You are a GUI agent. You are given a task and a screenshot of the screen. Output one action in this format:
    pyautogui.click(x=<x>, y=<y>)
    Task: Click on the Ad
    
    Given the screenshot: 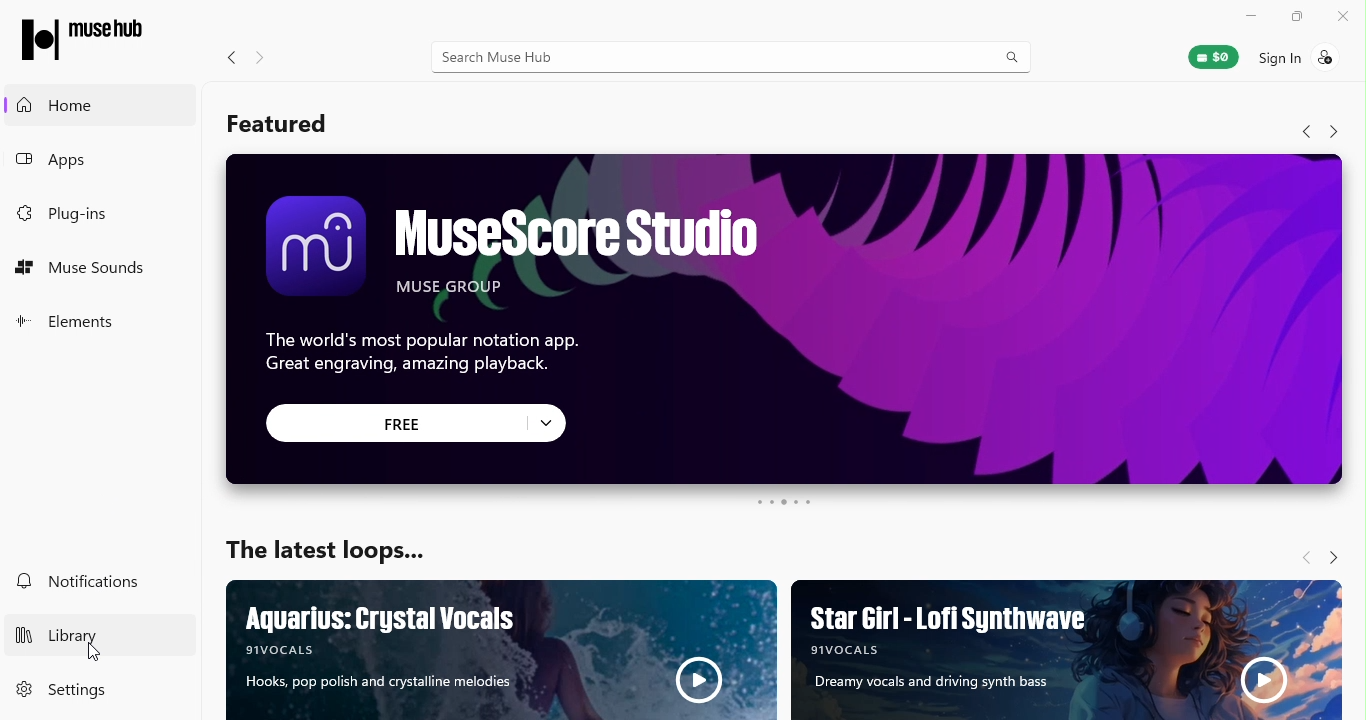 What is the action you would take?
    pyautogui.click(x=1066, y=648)
    